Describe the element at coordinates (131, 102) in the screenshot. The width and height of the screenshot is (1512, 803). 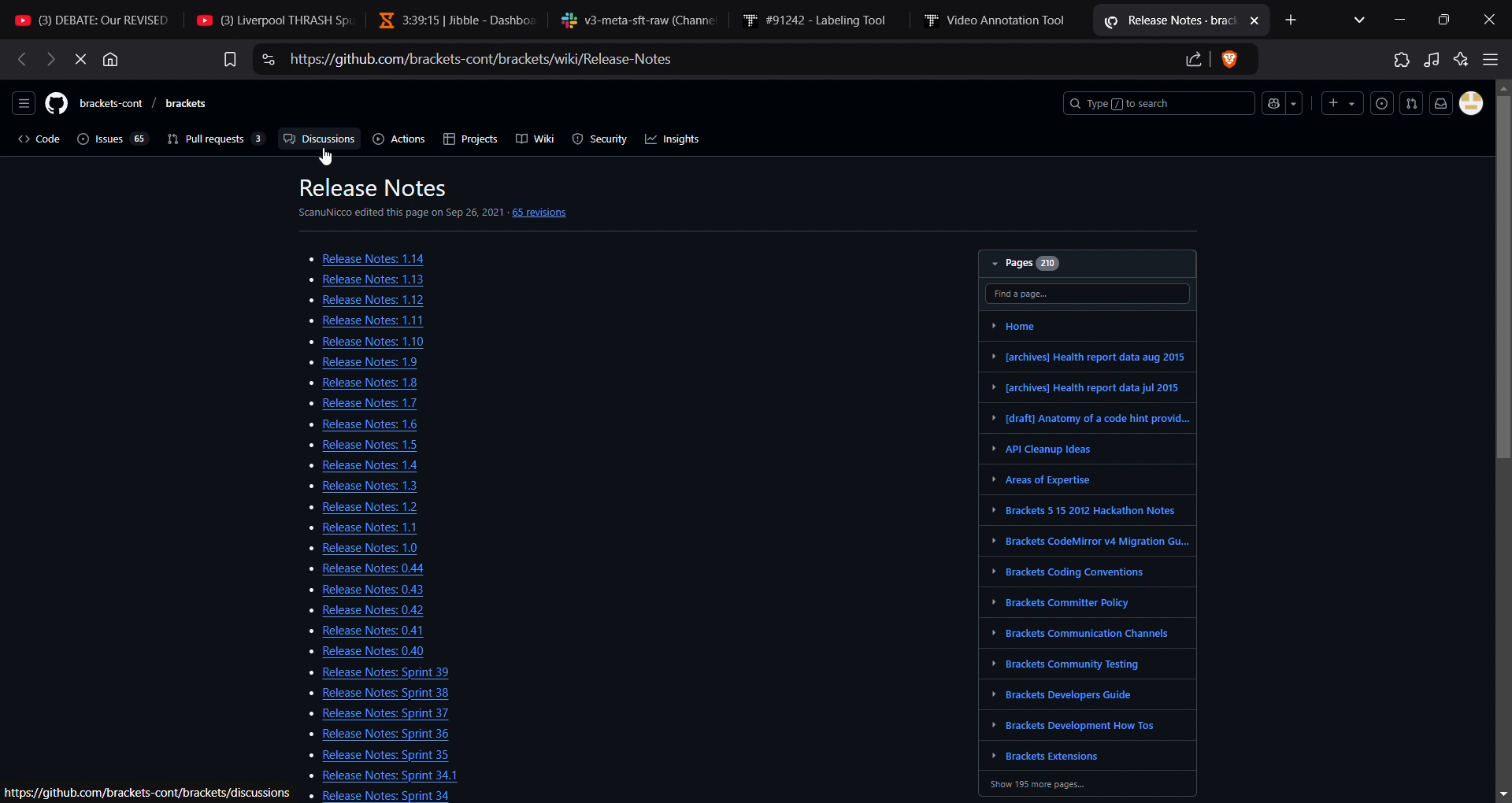
I see `™) brackets-cont / brackets` at that location.